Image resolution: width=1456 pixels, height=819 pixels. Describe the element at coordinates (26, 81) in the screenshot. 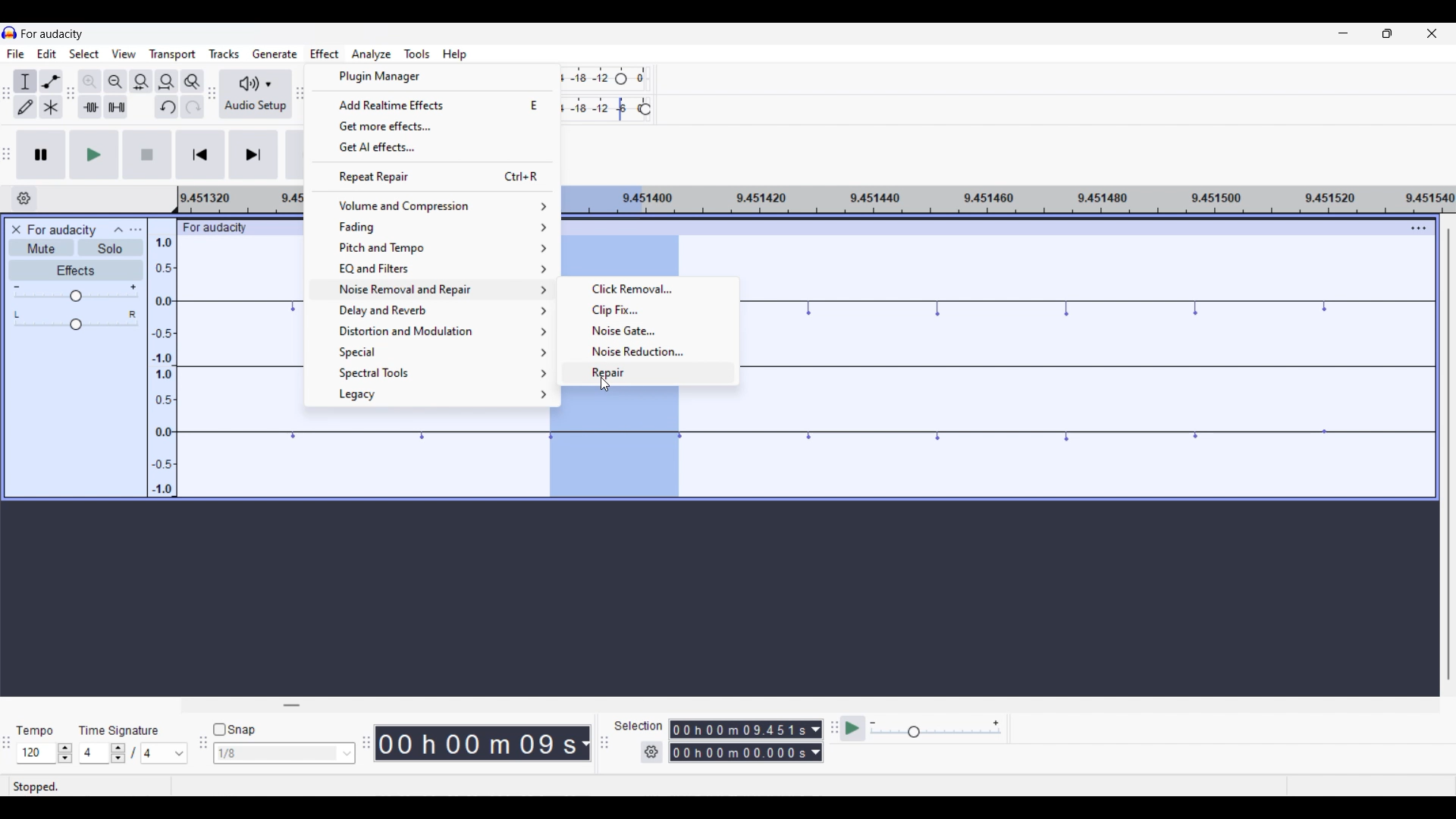

I see `Selection tool` at that location.